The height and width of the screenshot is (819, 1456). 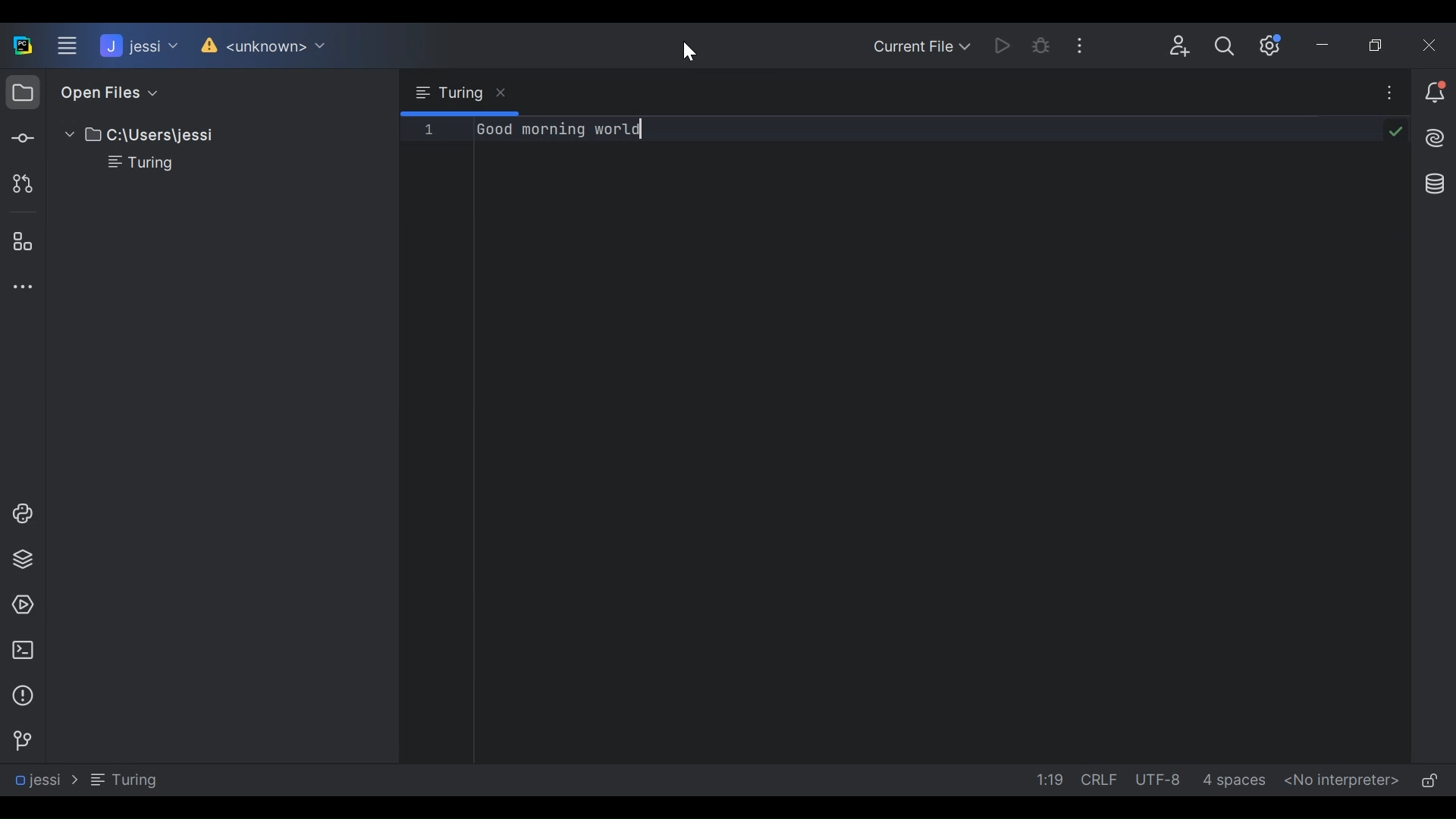 What do you see at coordinates (21, 695) in the screenshot?
I see `Problem` at bounding box center [21, 695].